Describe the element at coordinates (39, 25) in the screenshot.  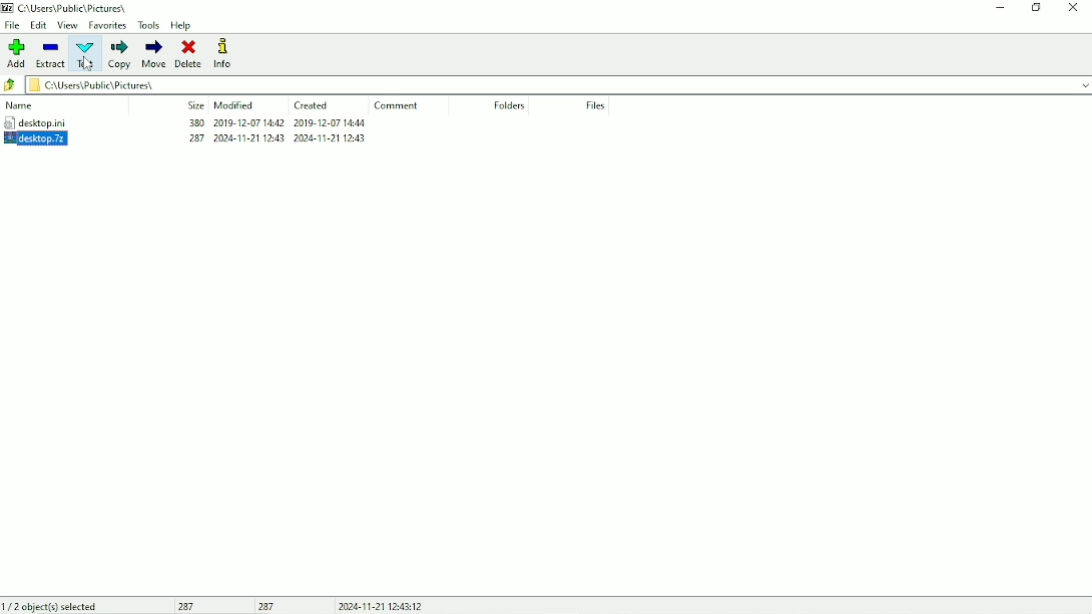
I see `Edit` at that location.